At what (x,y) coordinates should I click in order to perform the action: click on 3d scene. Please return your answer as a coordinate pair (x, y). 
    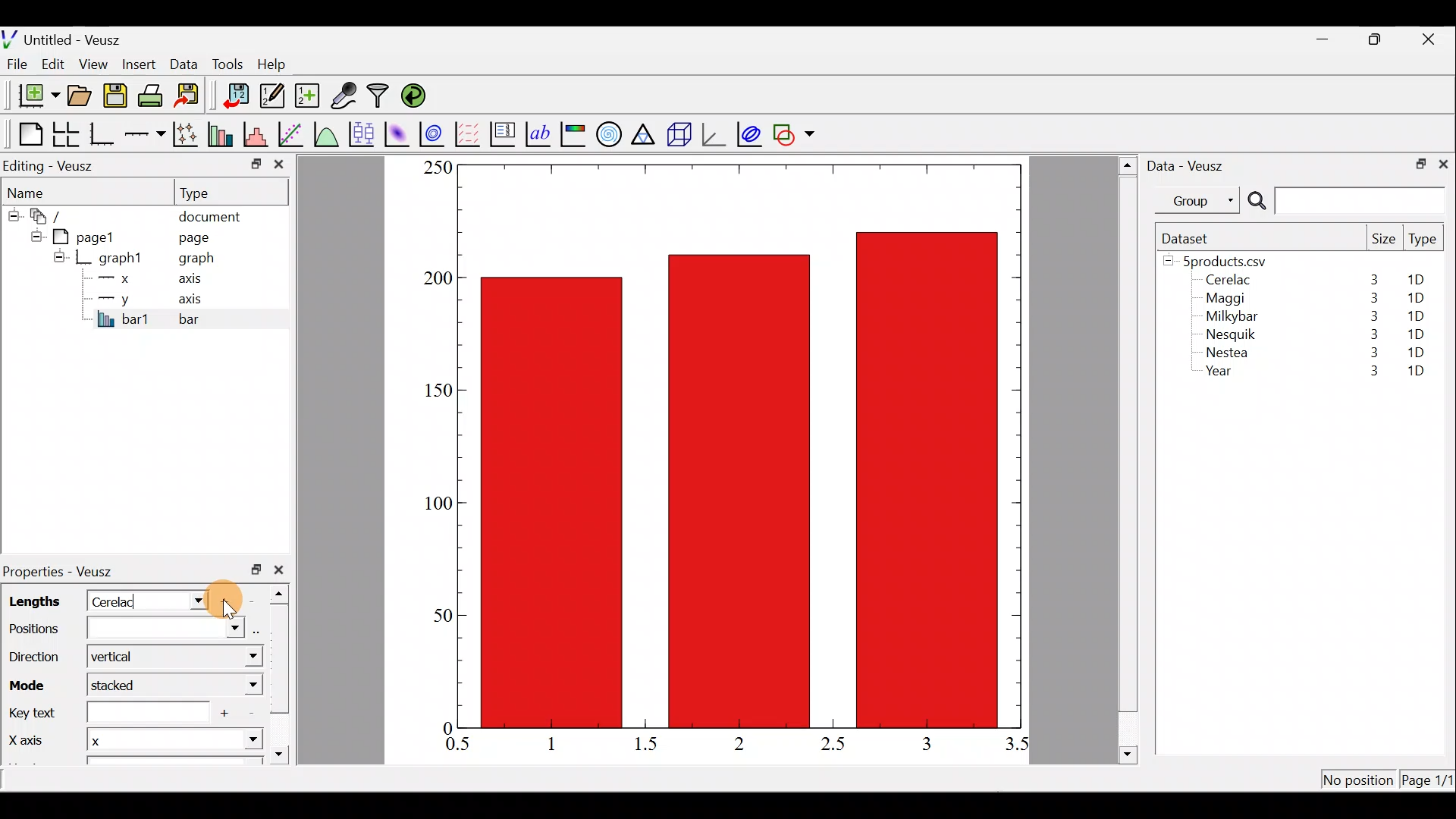
    Looking at the image, I should click on (678, 134).